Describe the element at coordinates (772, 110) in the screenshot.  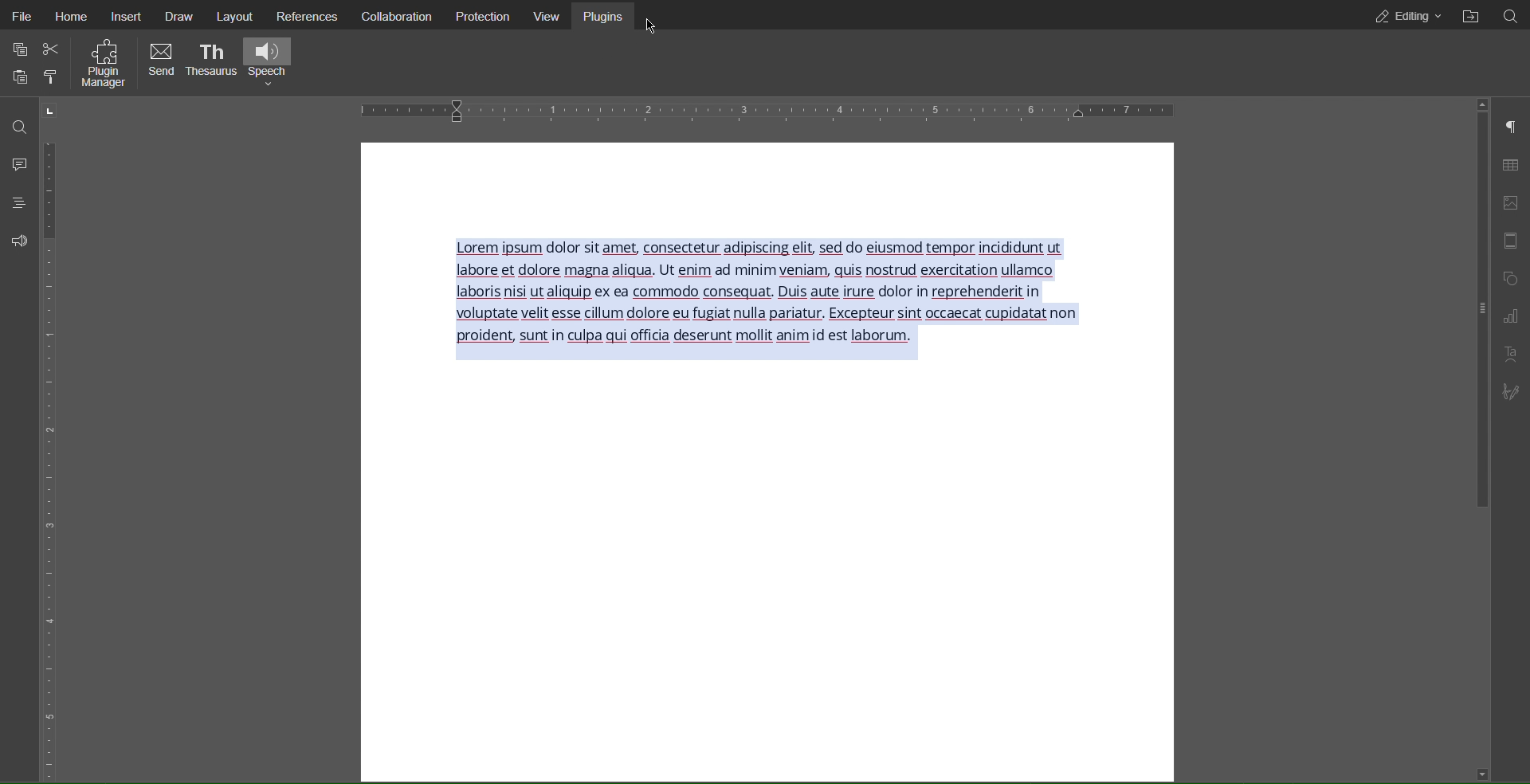
I see `Horizontal Ruler` at that location.